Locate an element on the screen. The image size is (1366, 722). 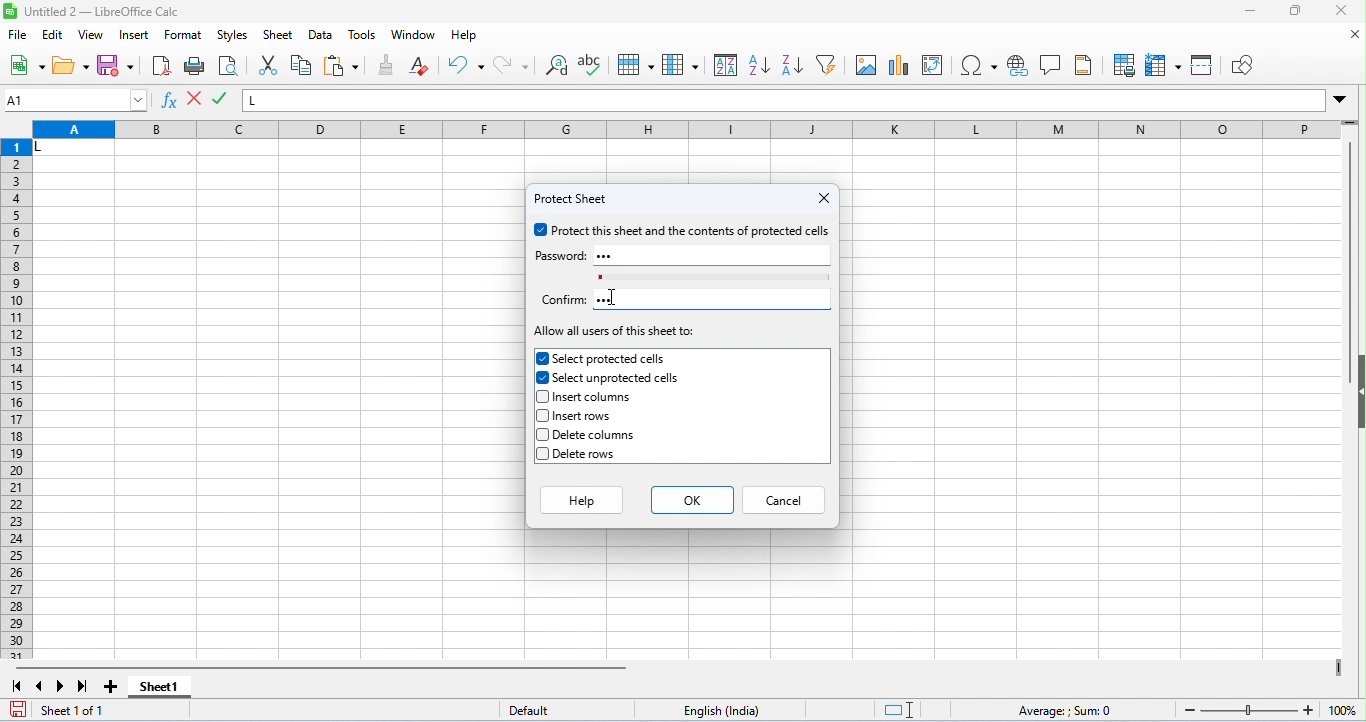
vertical scroll bar is located at coordinates (1351, 264).